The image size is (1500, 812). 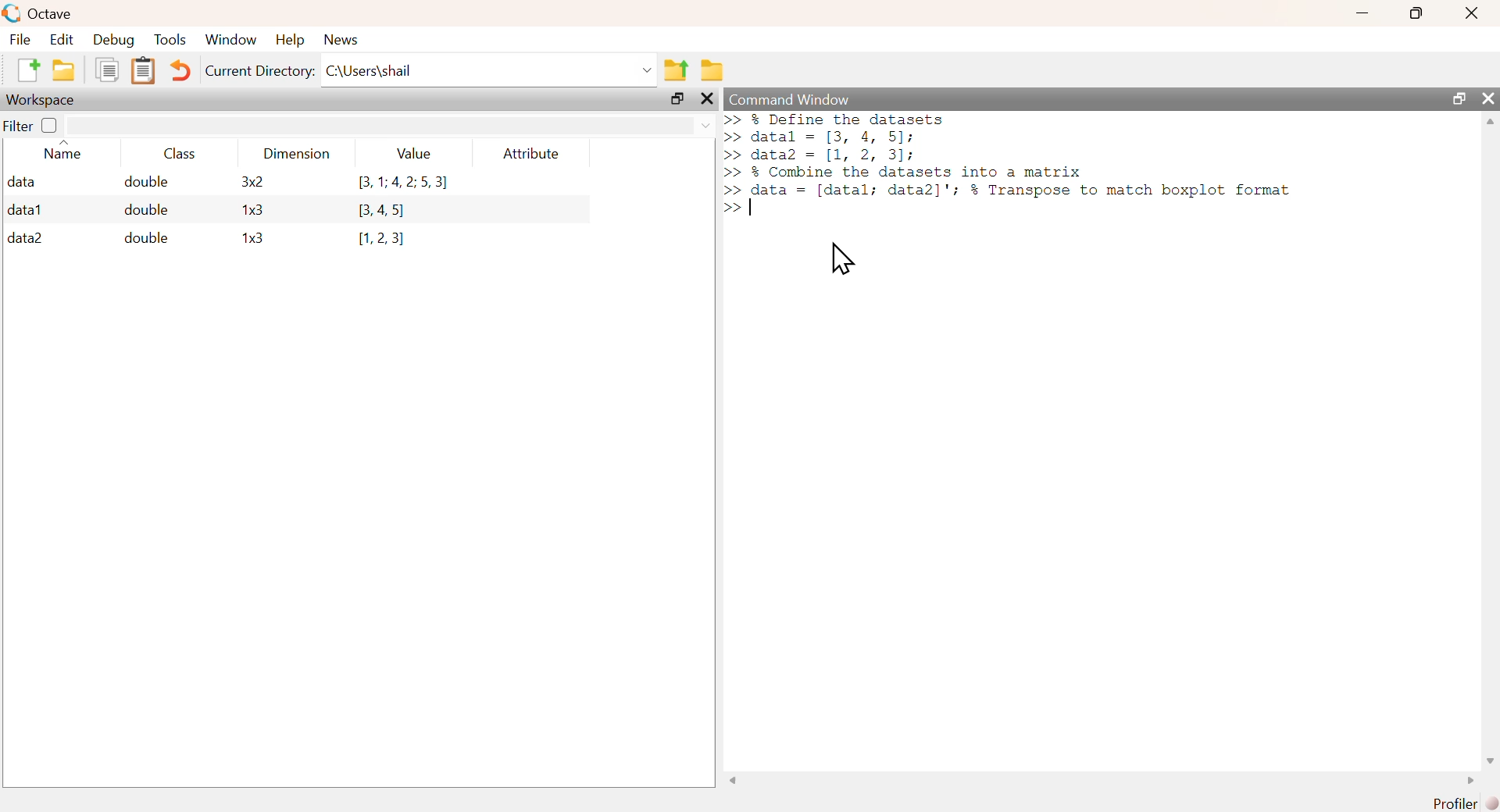 What do you see at coordinates (706, 127) in the screenshot?
I see `dropdown` at bounding box center [706, 127].